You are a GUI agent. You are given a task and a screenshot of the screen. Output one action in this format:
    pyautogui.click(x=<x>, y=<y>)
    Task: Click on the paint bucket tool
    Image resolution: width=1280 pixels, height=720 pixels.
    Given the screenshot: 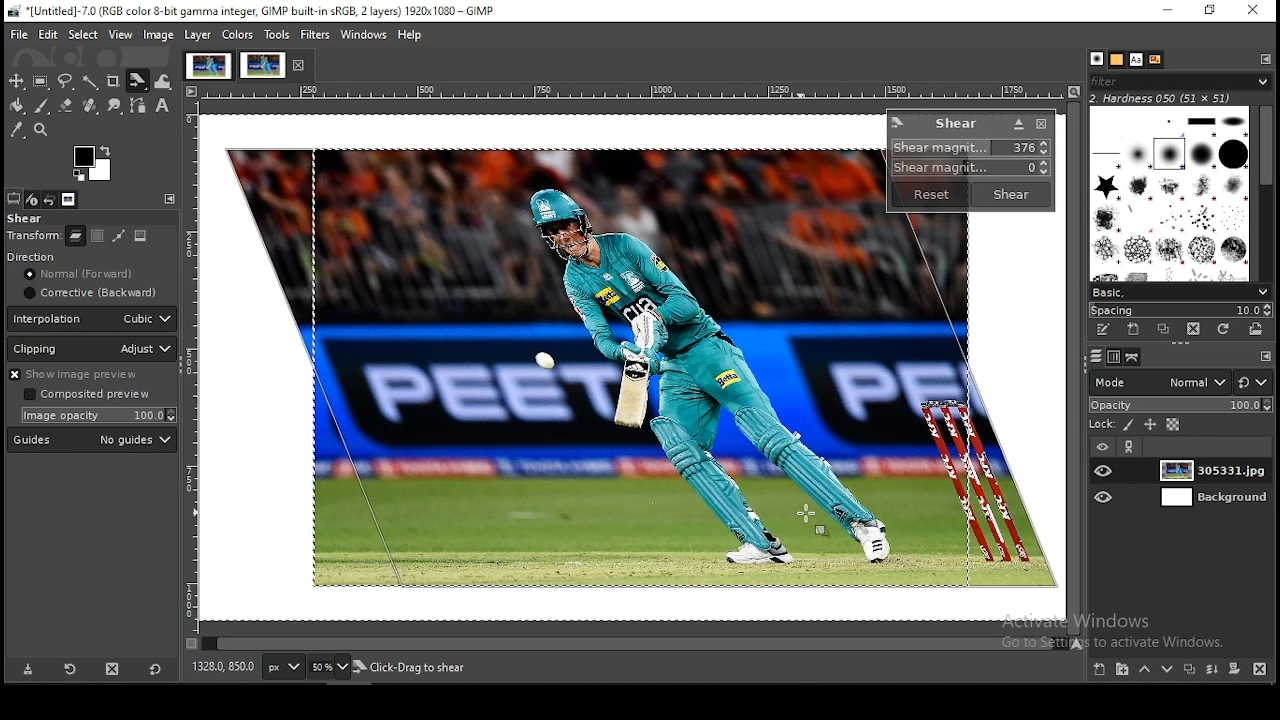 What is the action you would take?
    pyautogui.click(x=19, y=107)
    